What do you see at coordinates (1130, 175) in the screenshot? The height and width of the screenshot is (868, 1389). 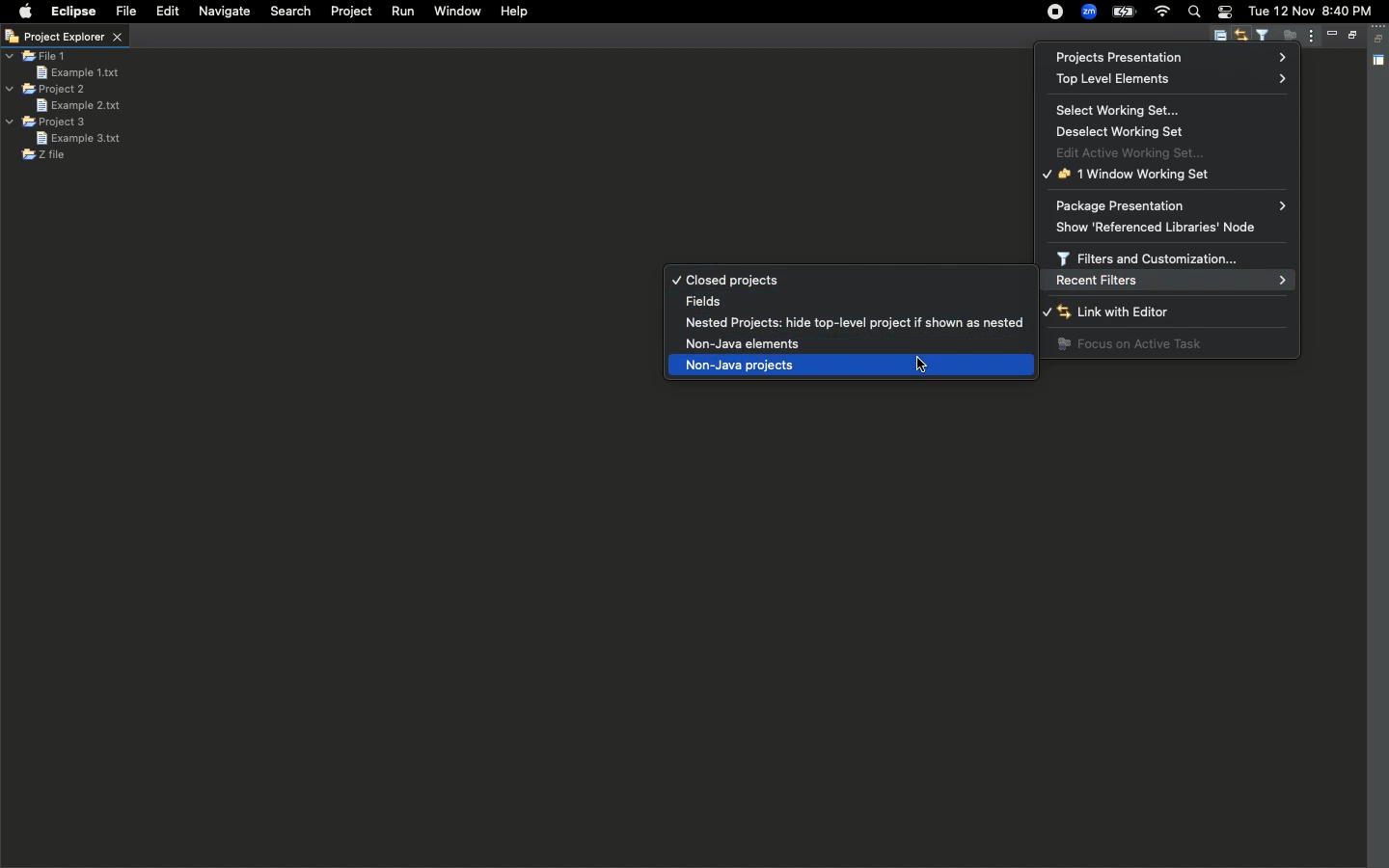 I see `1 window working set` at bounding box center [1130, 175].